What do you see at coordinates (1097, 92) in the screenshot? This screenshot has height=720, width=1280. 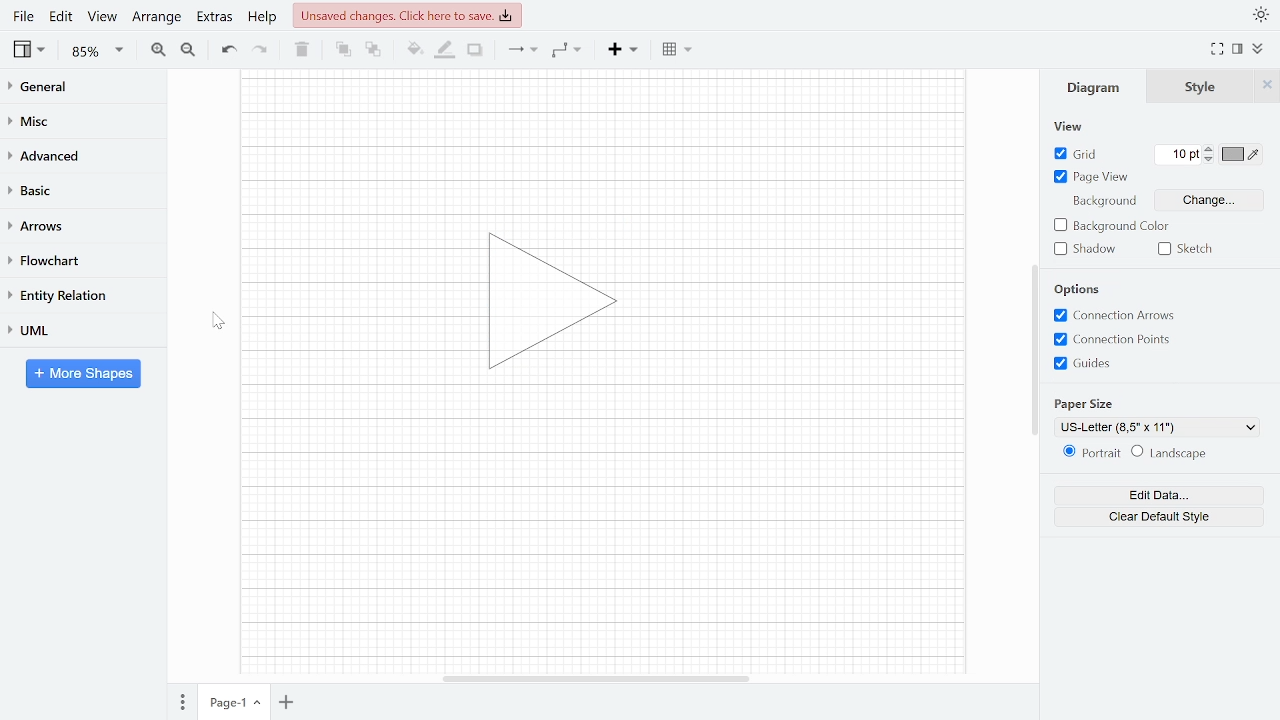 I see `Diagram` at bounding box center [1097, 92].